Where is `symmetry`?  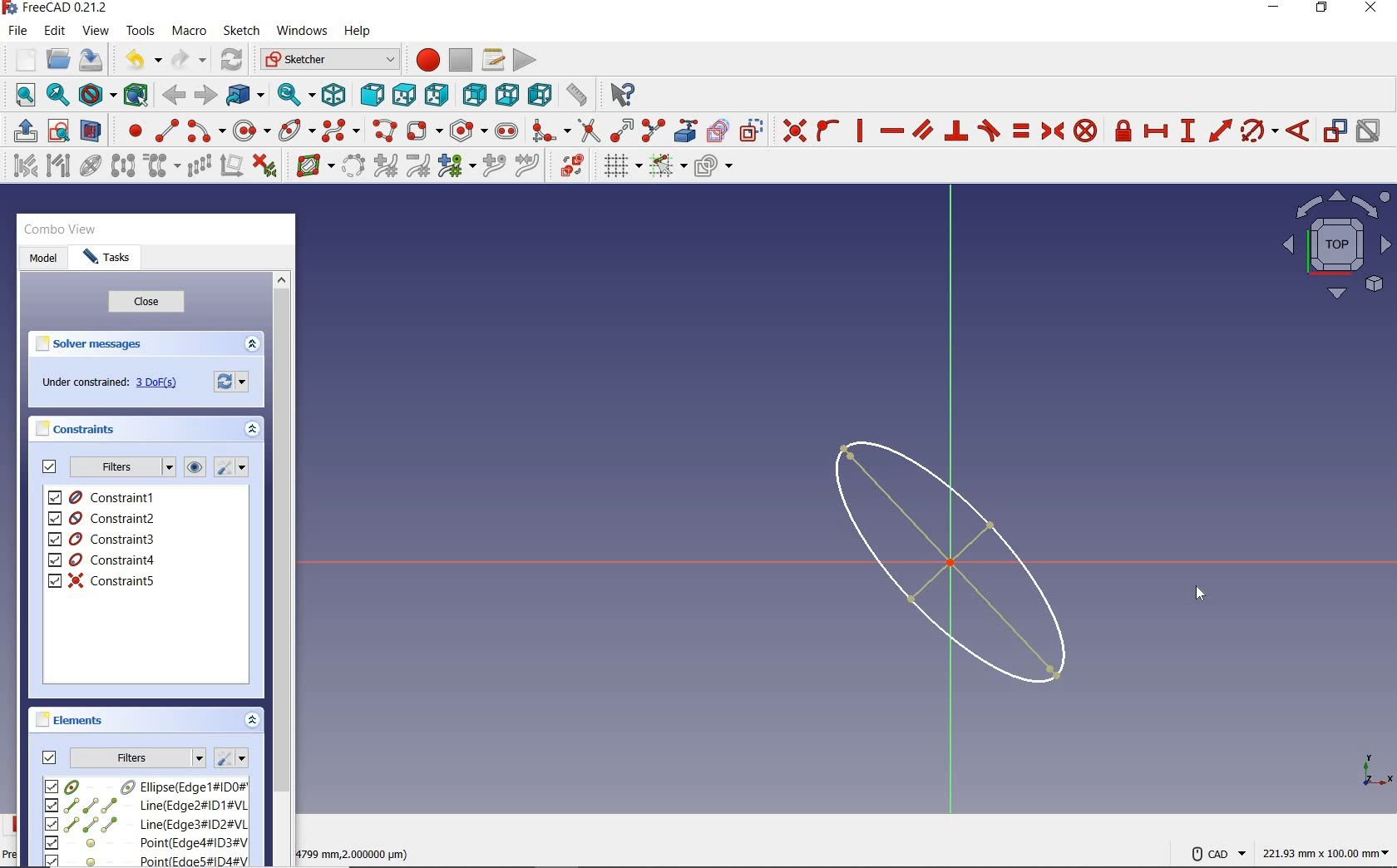
symmetry is located at coordinates (124, 165).